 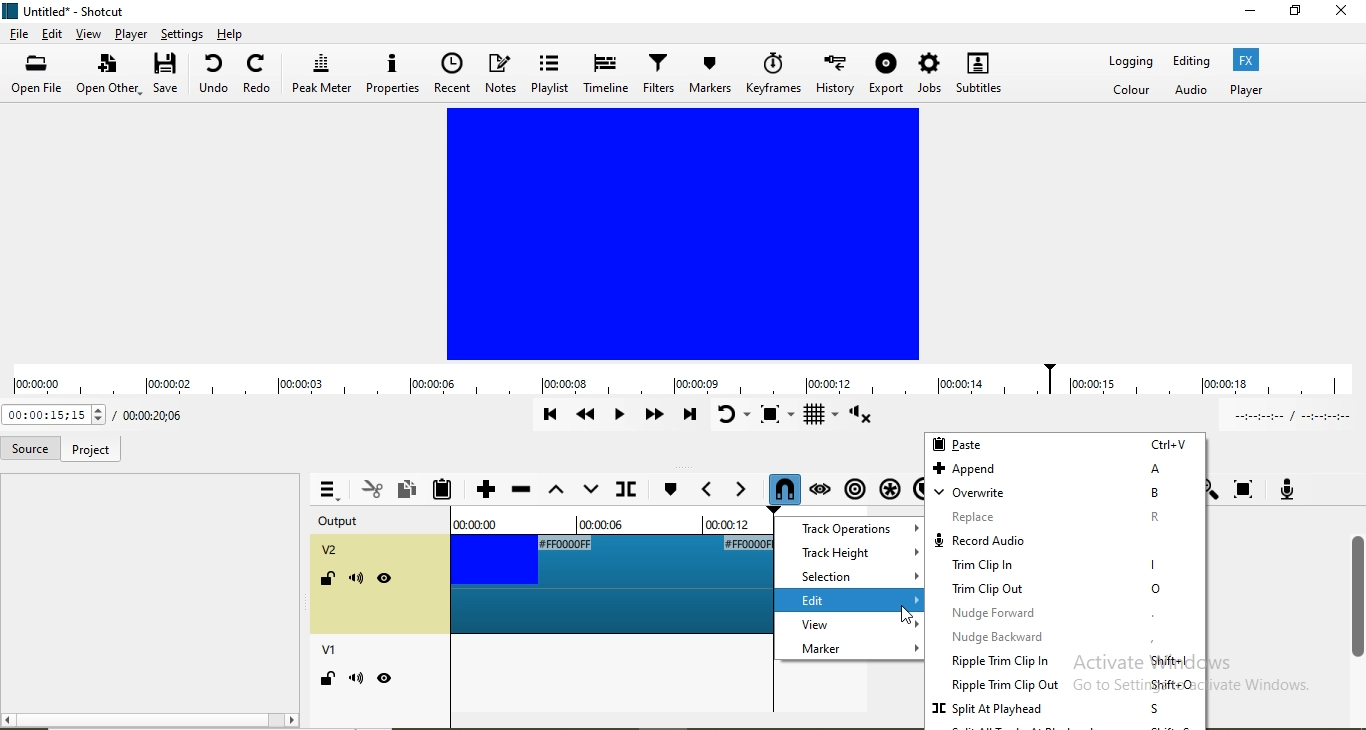 What do you see at coordinates (1062, 493) in the screenshot?
I see `overwrite` at bounding box center [1062, 493].